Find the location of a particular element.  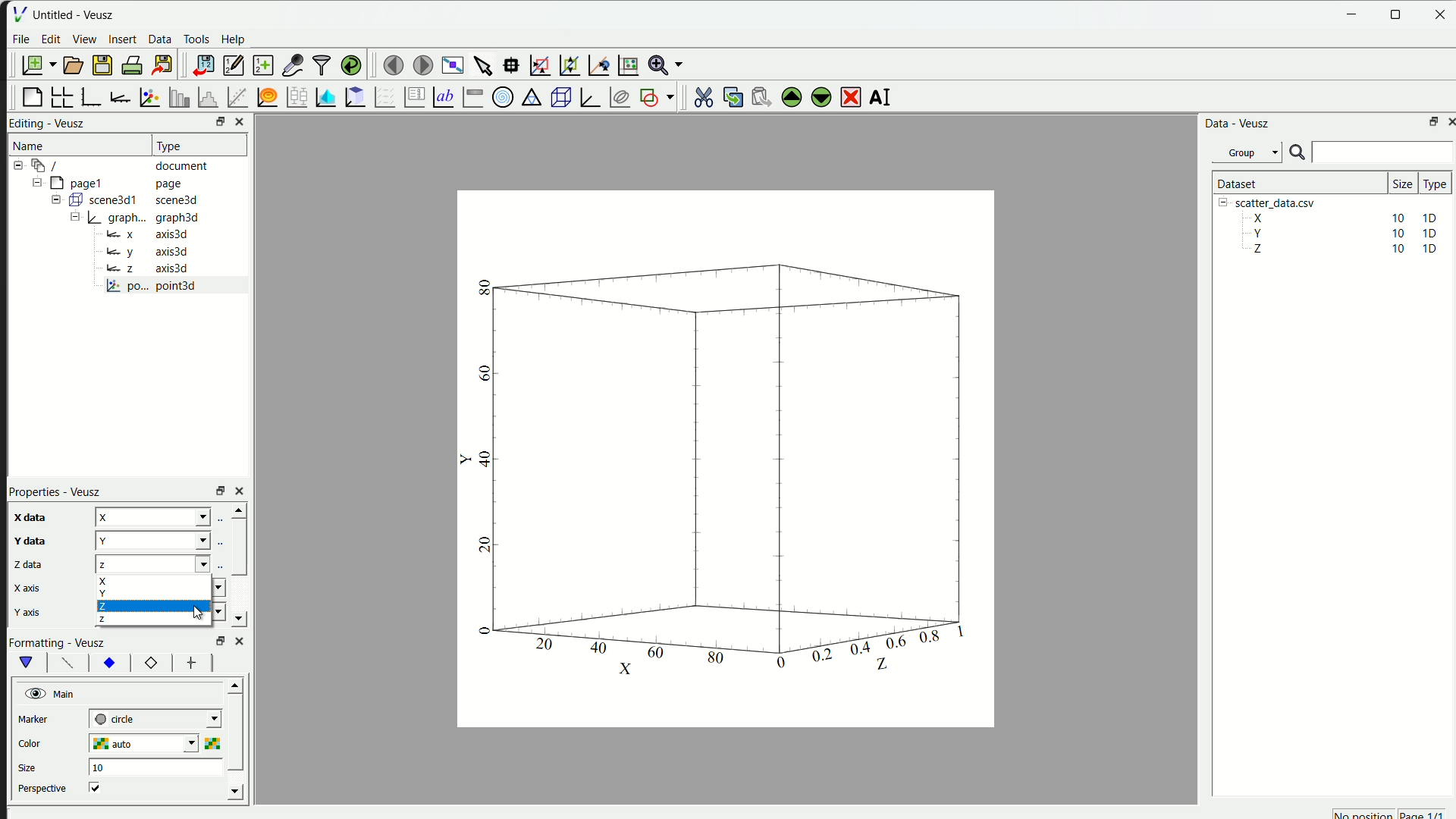

Group  is located at coordinates (1247, 154).